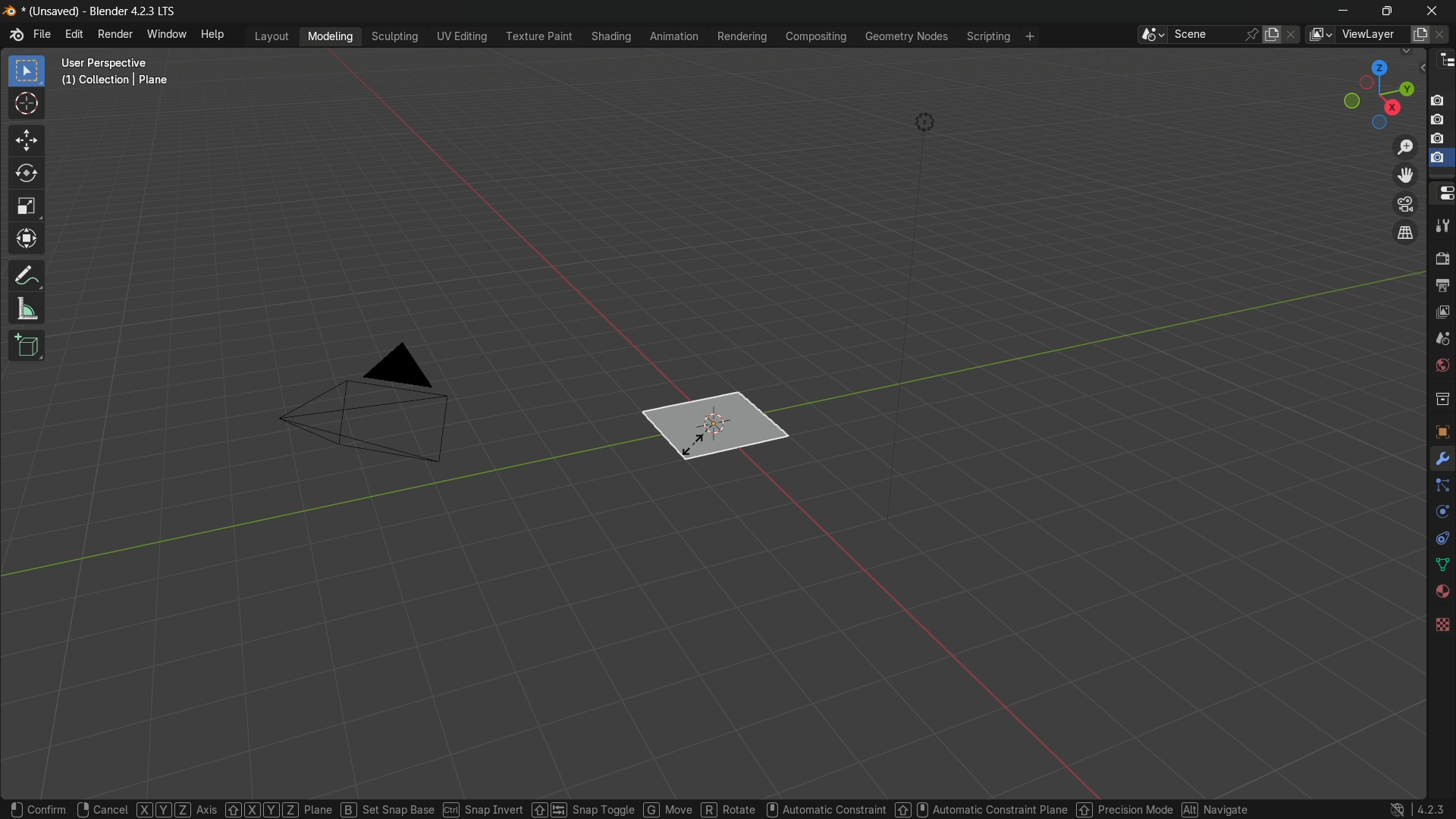 This screenshot has height=819, width=1456. What do you see at coordinates (1439, 160) in the screenshot?
I see `selected capture` at bounding box center [1439, 160].